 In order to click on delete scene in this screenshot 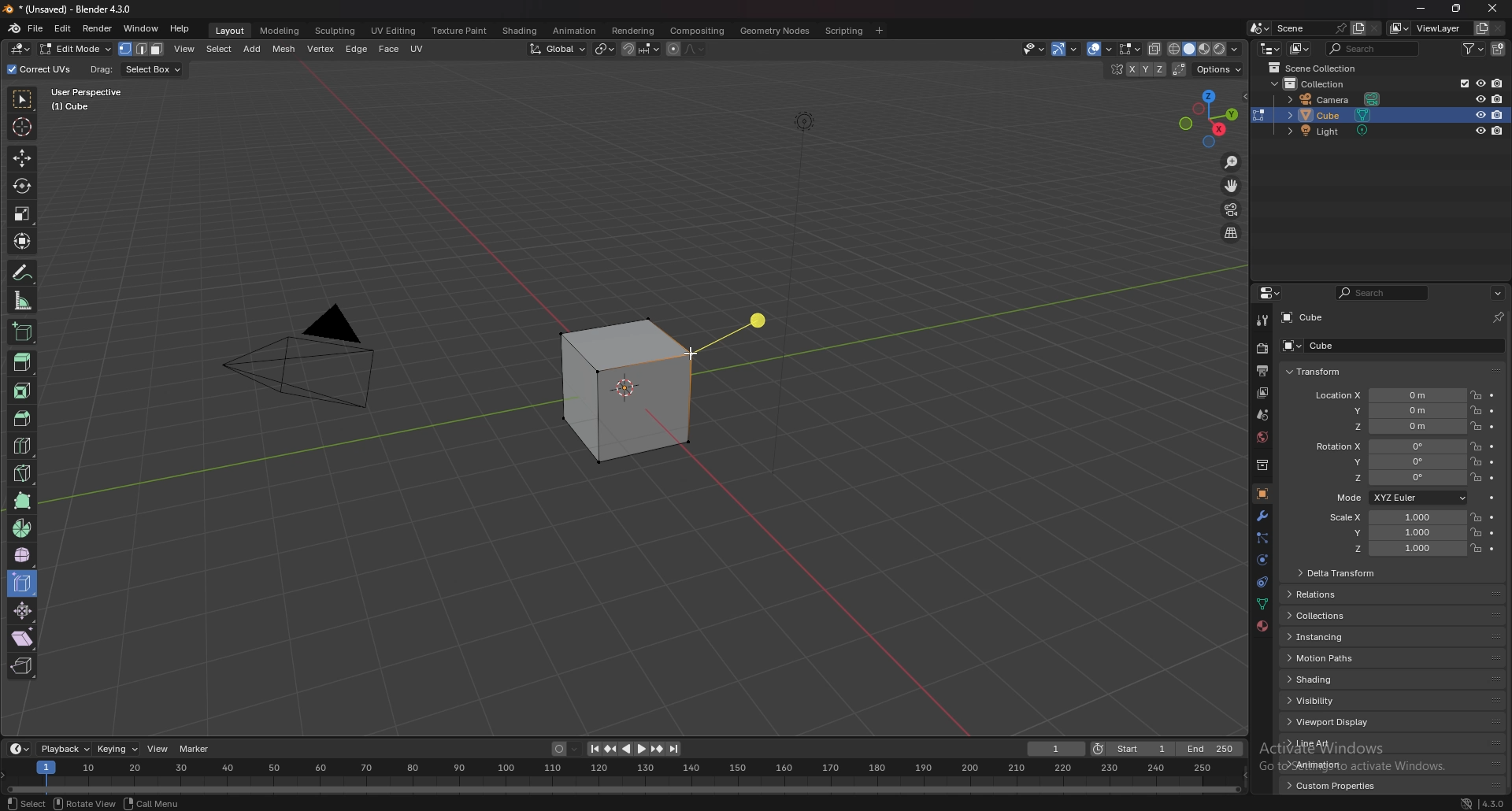, I will do `click(1375, 29)`.